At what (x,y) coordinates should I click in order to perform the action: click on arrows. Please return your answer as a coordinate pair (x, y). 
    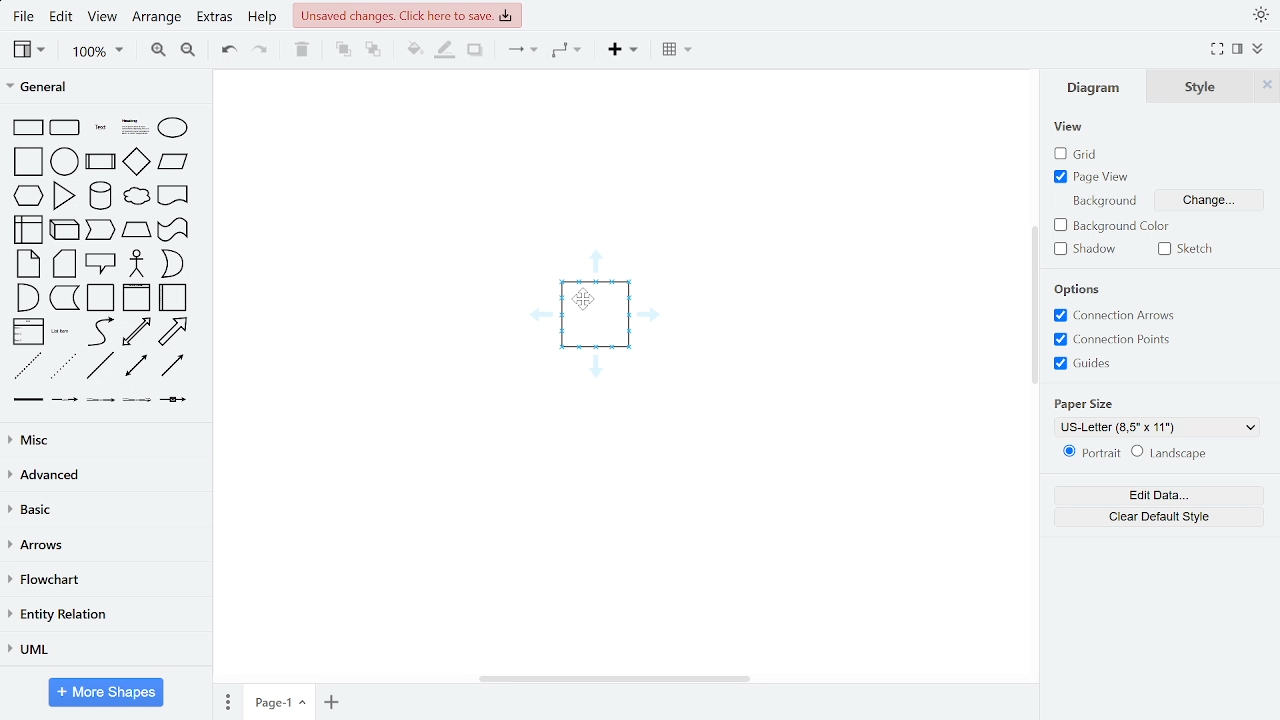
    Looking at the image, I should click on (102, 547).